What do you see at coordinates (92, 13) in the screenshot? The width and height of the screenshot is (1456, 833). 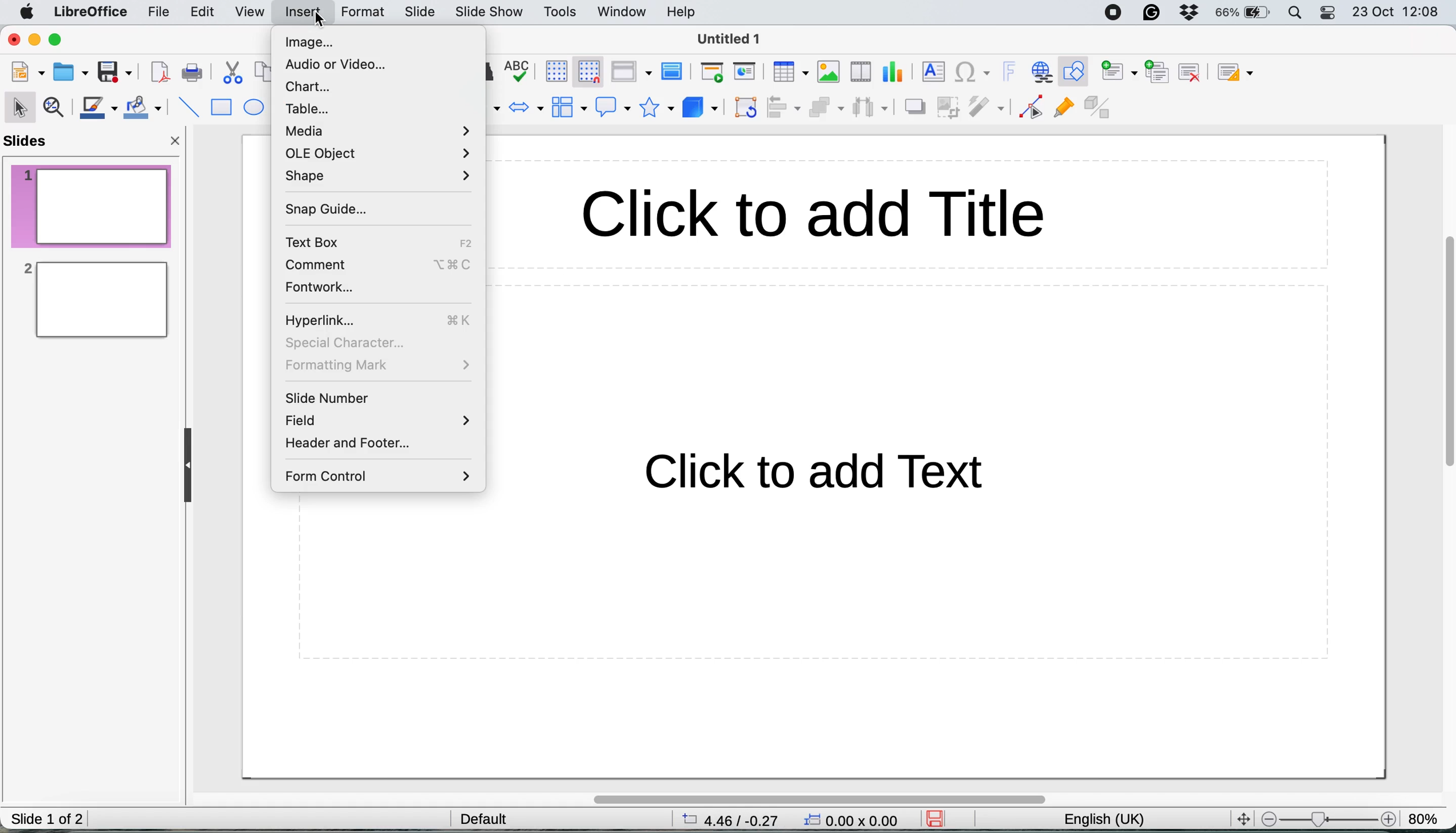 I see `libreoffice` at bounding box center [92, 13].